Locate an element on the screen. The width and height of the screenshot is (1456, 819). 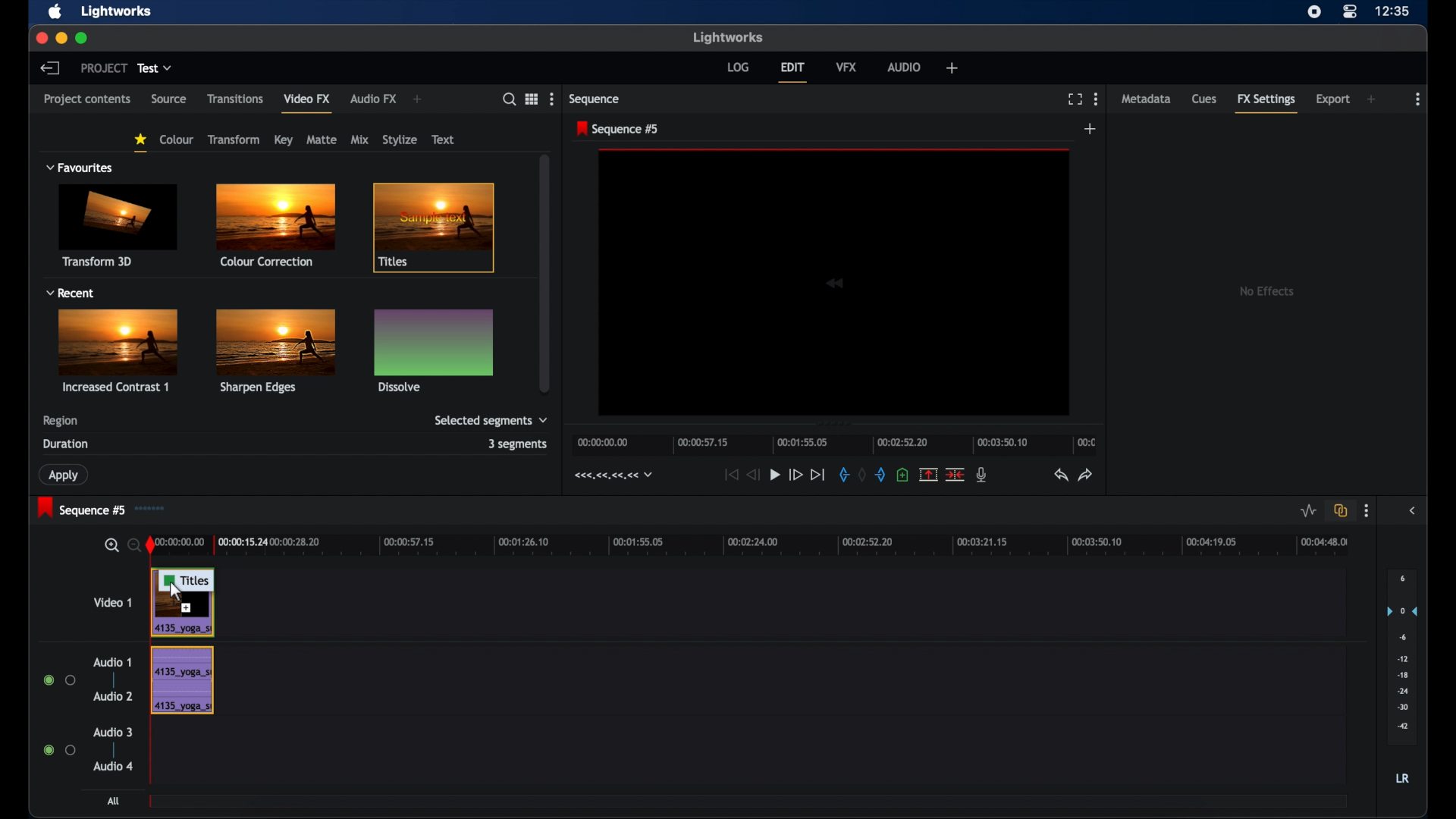
favorites is located at coordinates (80, 168).